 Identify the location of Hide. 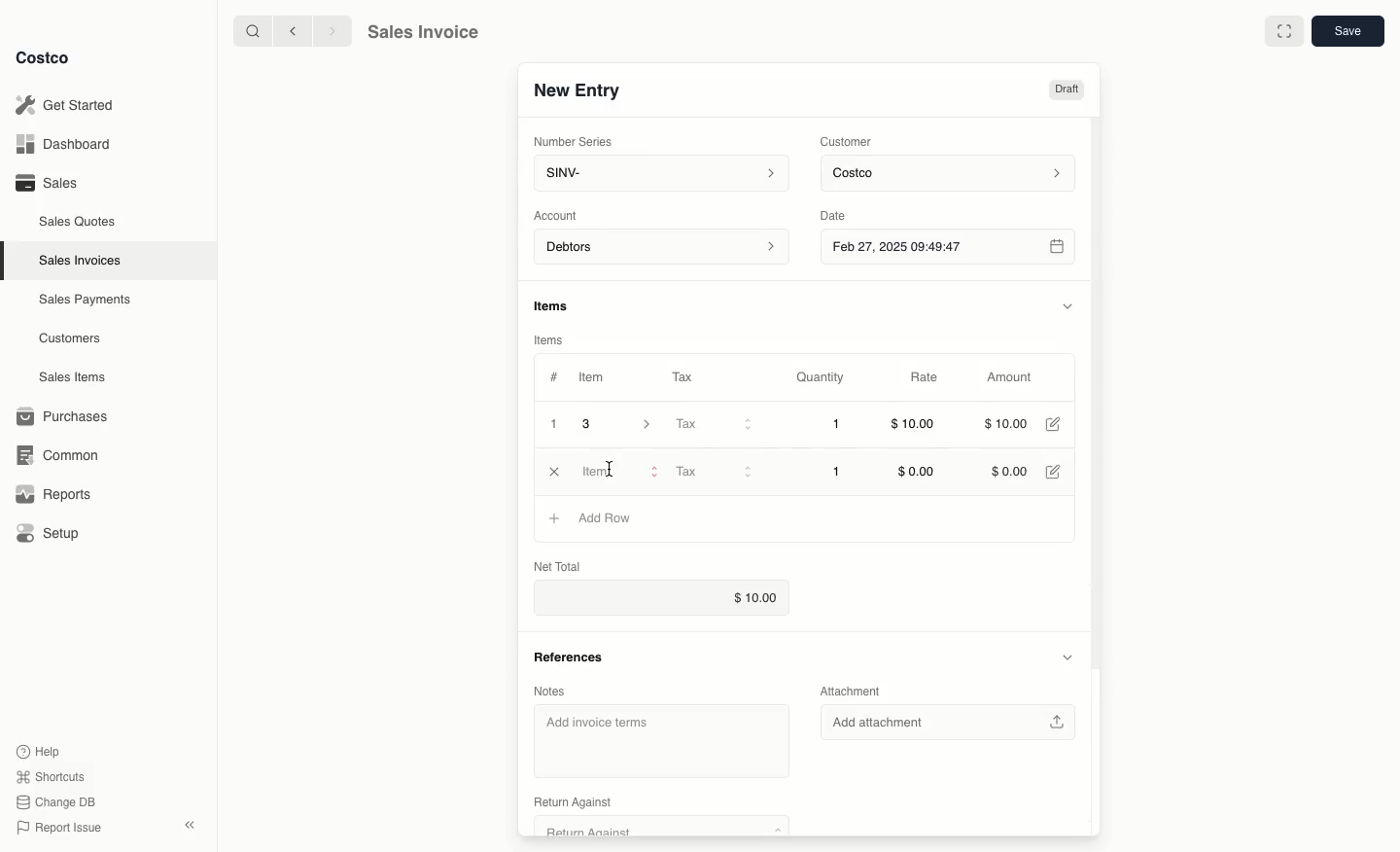
(1067, 303).